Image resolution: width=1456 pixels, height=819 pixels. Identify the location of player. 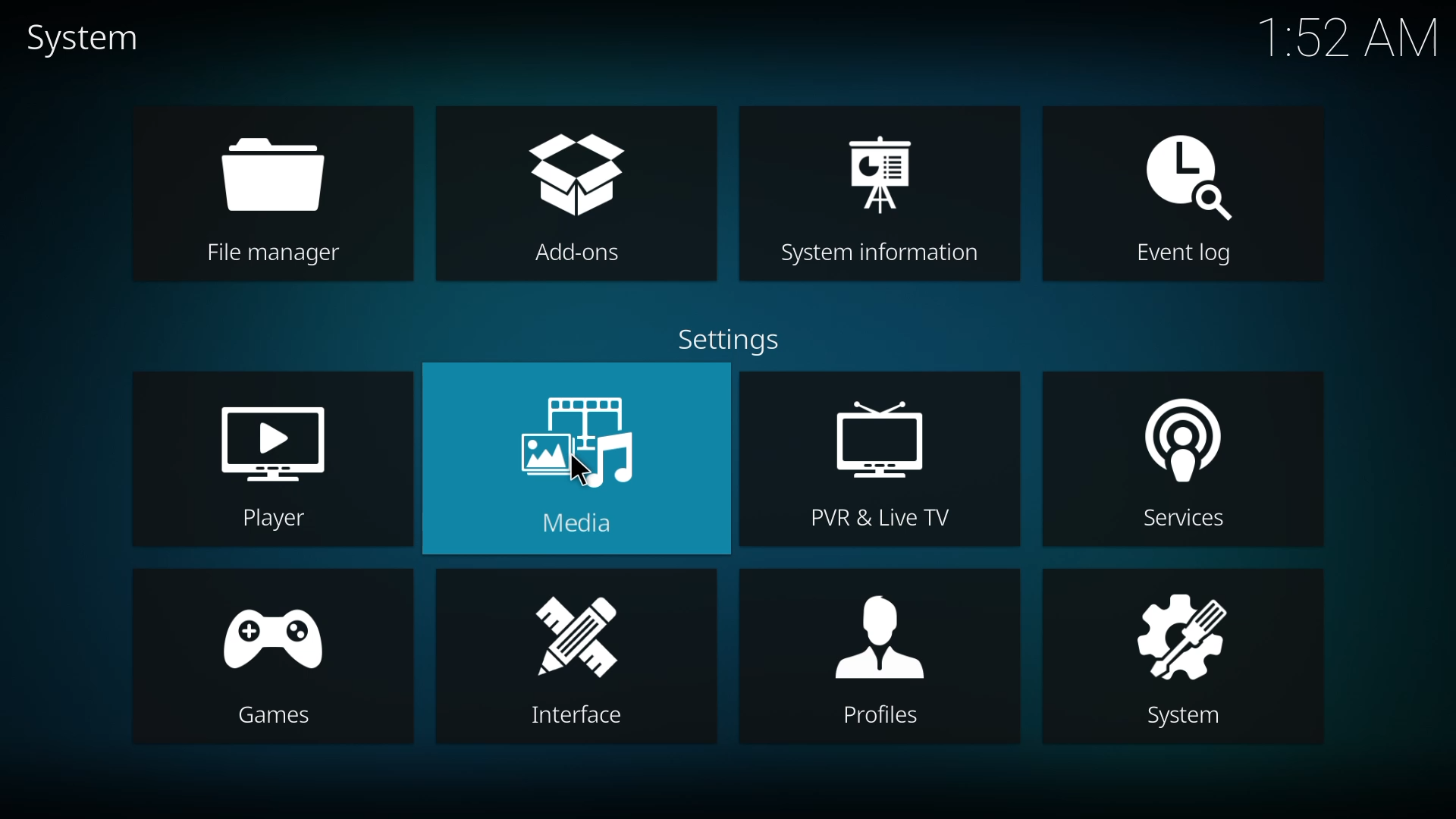
(273, 460).